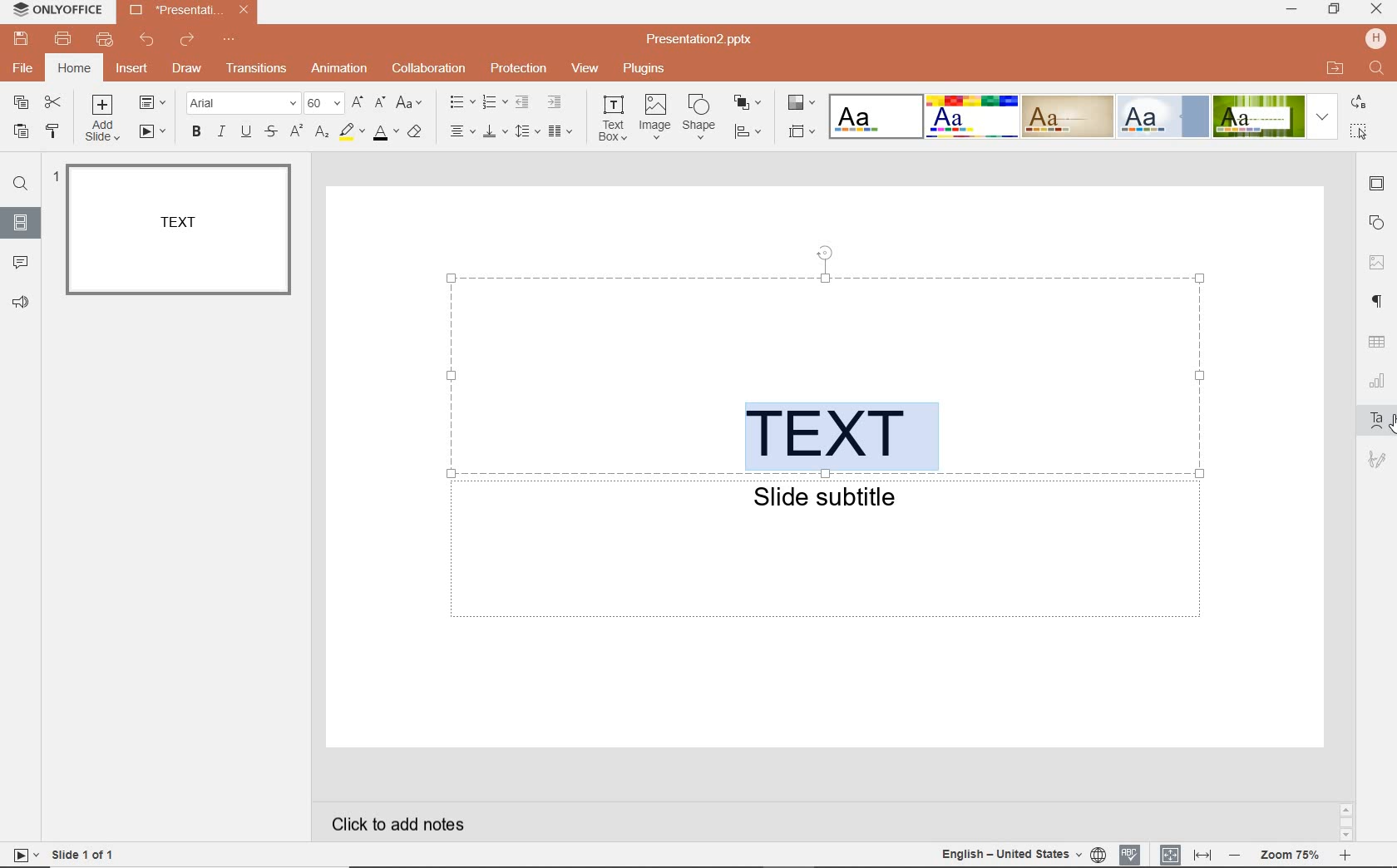  I want to click on FIND, so click(21, 184).